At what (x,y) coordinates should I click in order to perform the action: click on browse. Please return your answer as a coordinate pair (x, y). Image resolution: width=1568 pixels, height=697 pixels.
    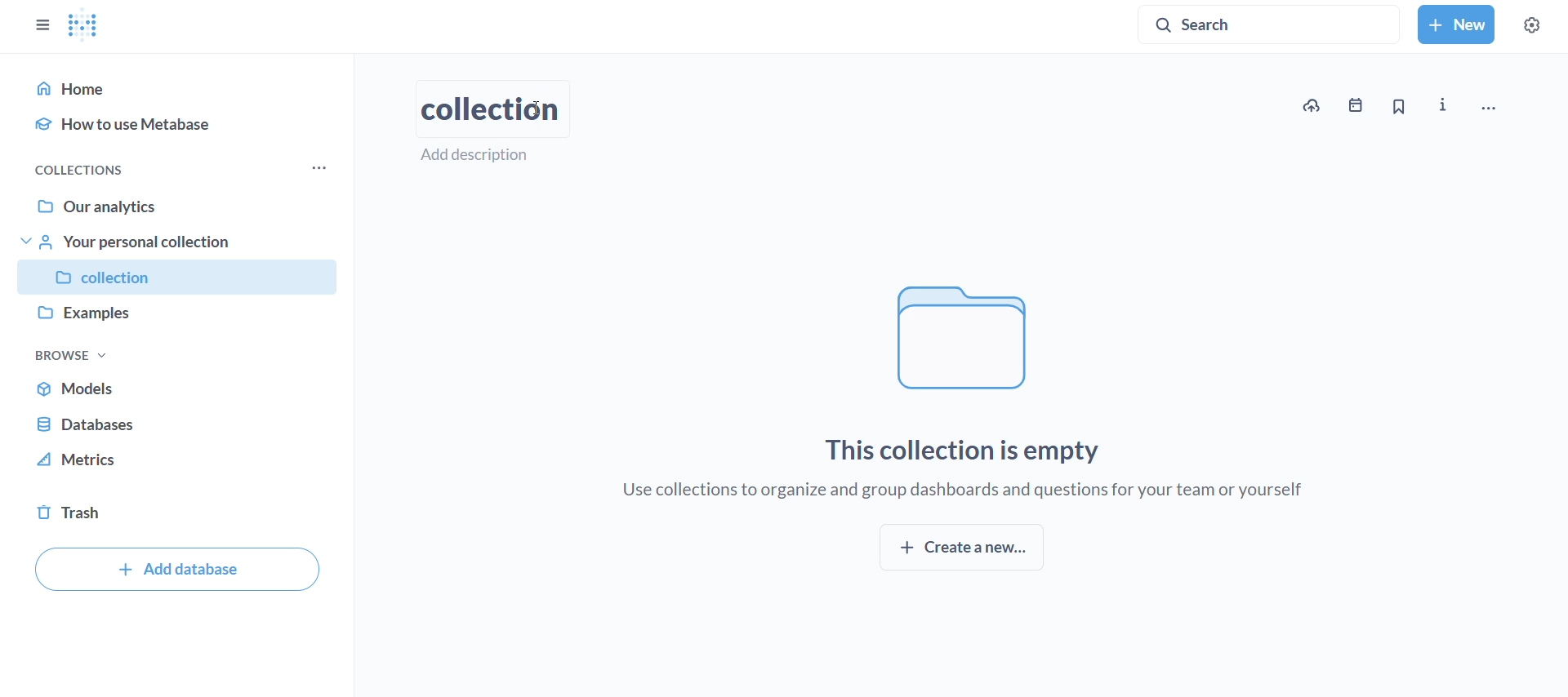
    Looking at the image, I should click on (71, 355).